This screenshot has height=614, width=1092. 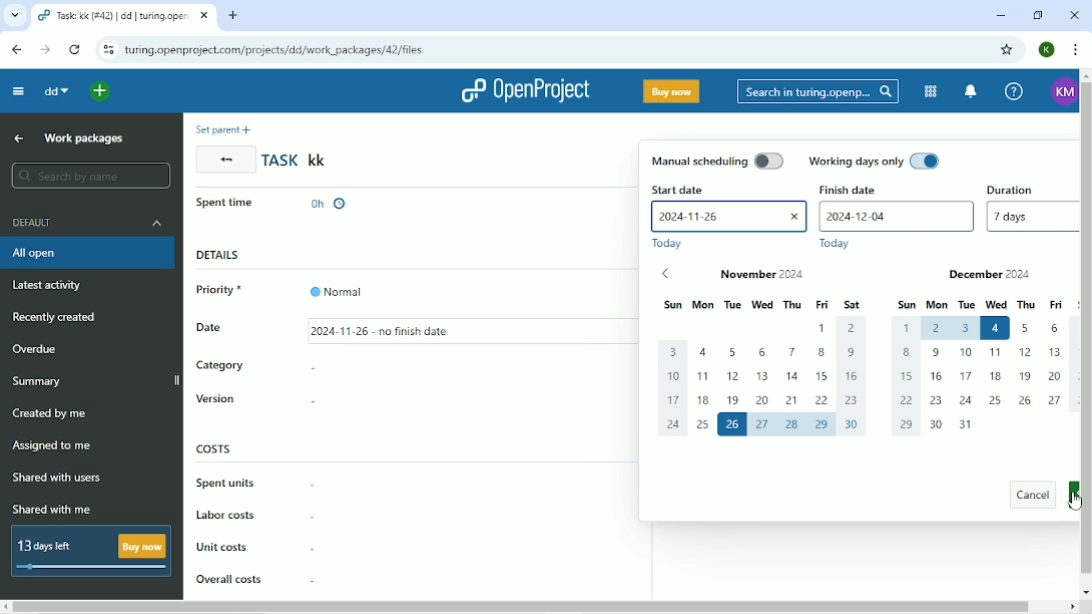 What do you see at coordinates (928, 92) in the screenshot?
I see `Modules` at bounding box center [928, 92].